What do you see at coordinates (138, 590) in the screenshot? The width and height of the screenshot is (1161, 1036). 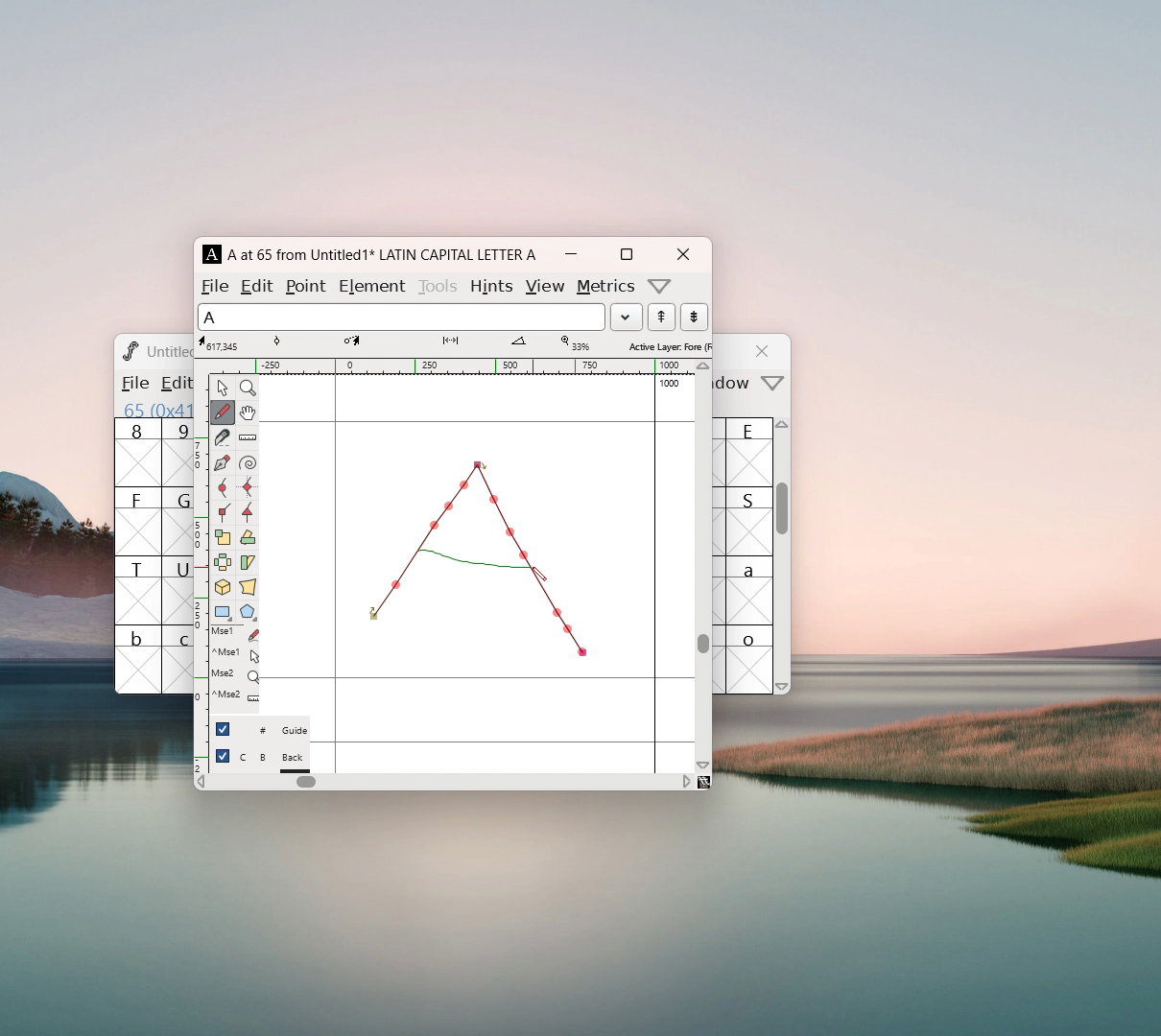 I see `T` at bounding box center [138, 590].